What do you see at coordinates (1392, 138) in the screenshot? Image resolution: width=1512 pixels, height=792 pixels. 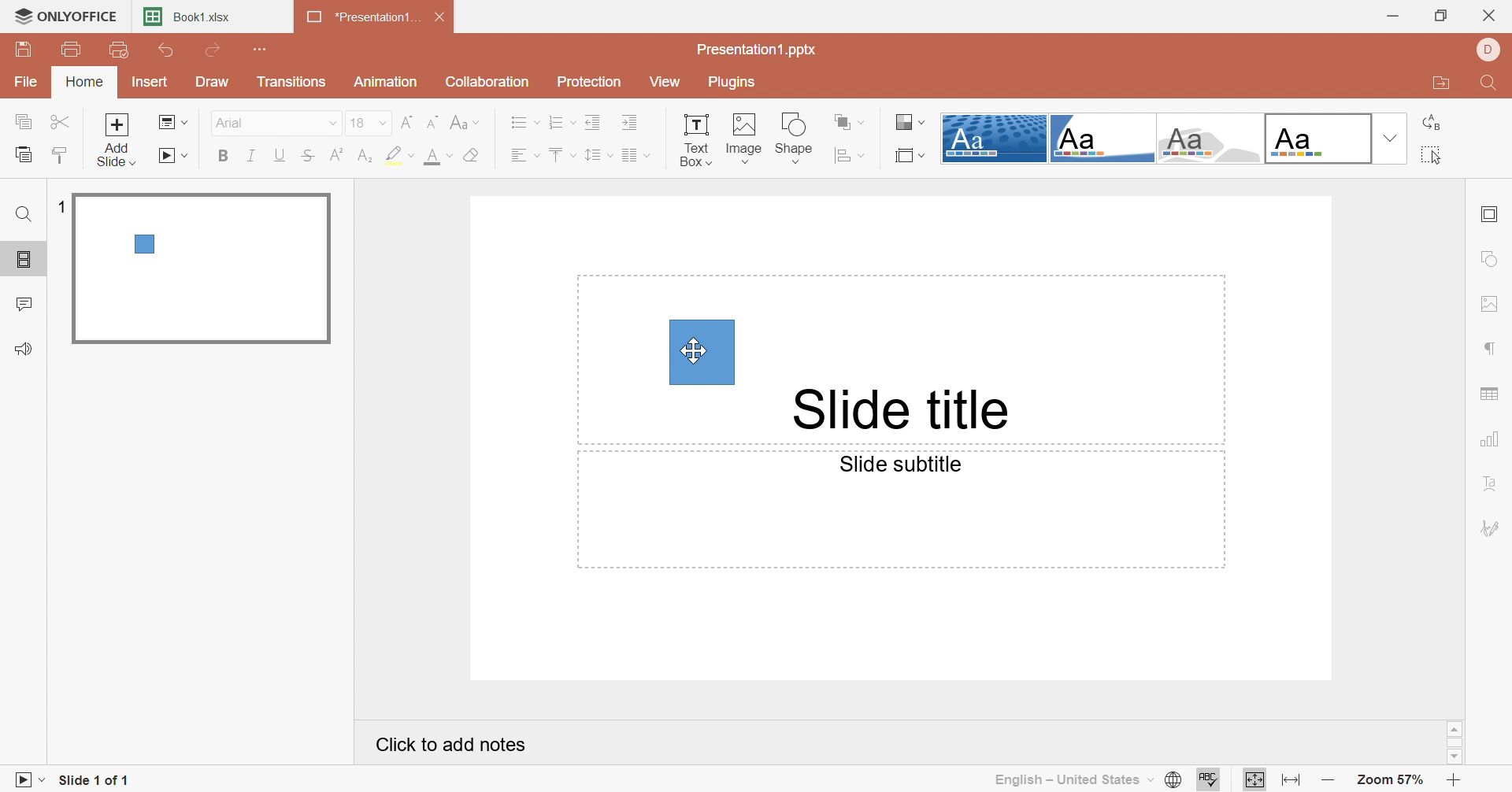 I see `Drop Down` at bounding box center [1392, 138].